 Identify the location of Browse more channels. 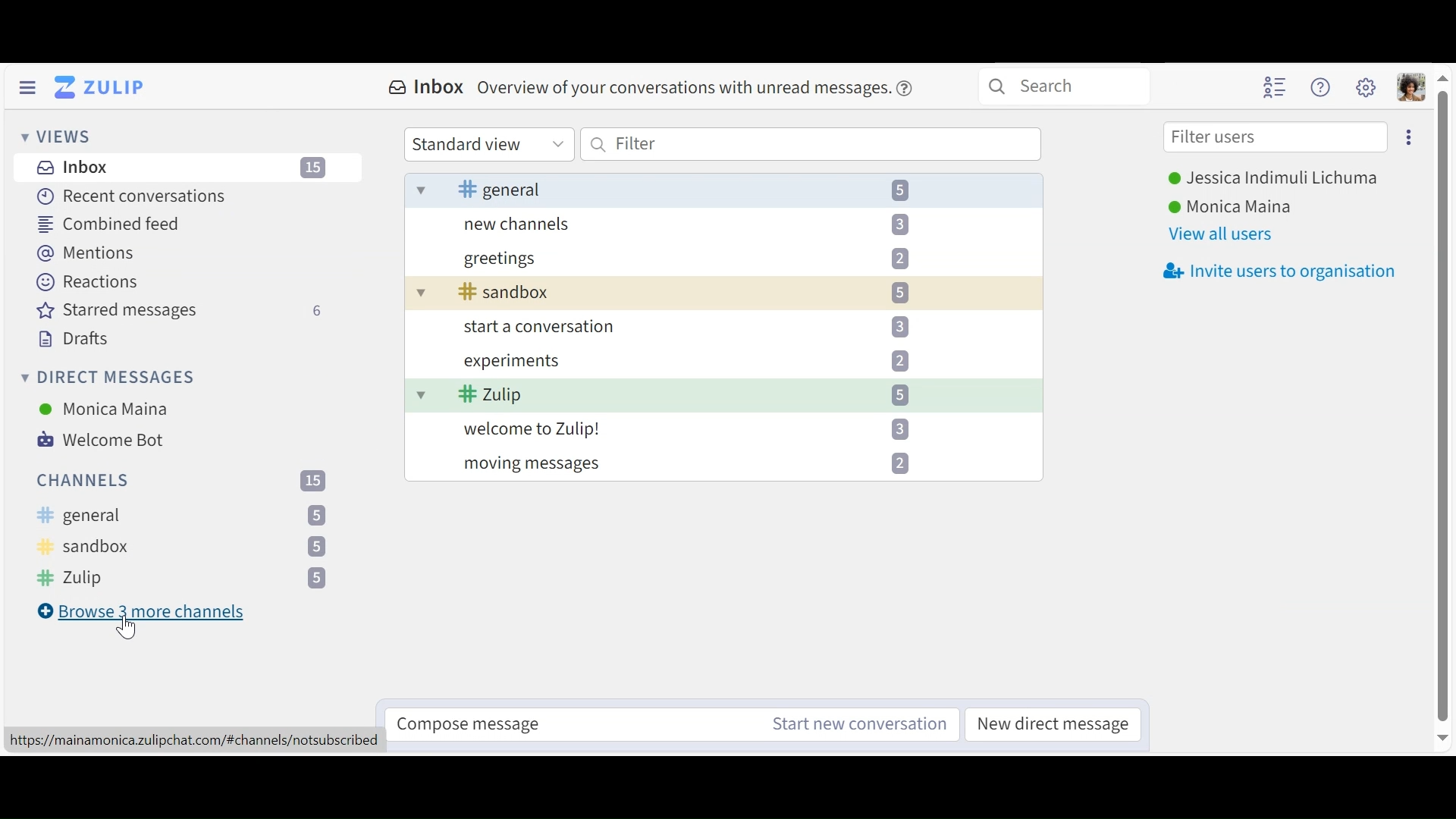
(147, 612).